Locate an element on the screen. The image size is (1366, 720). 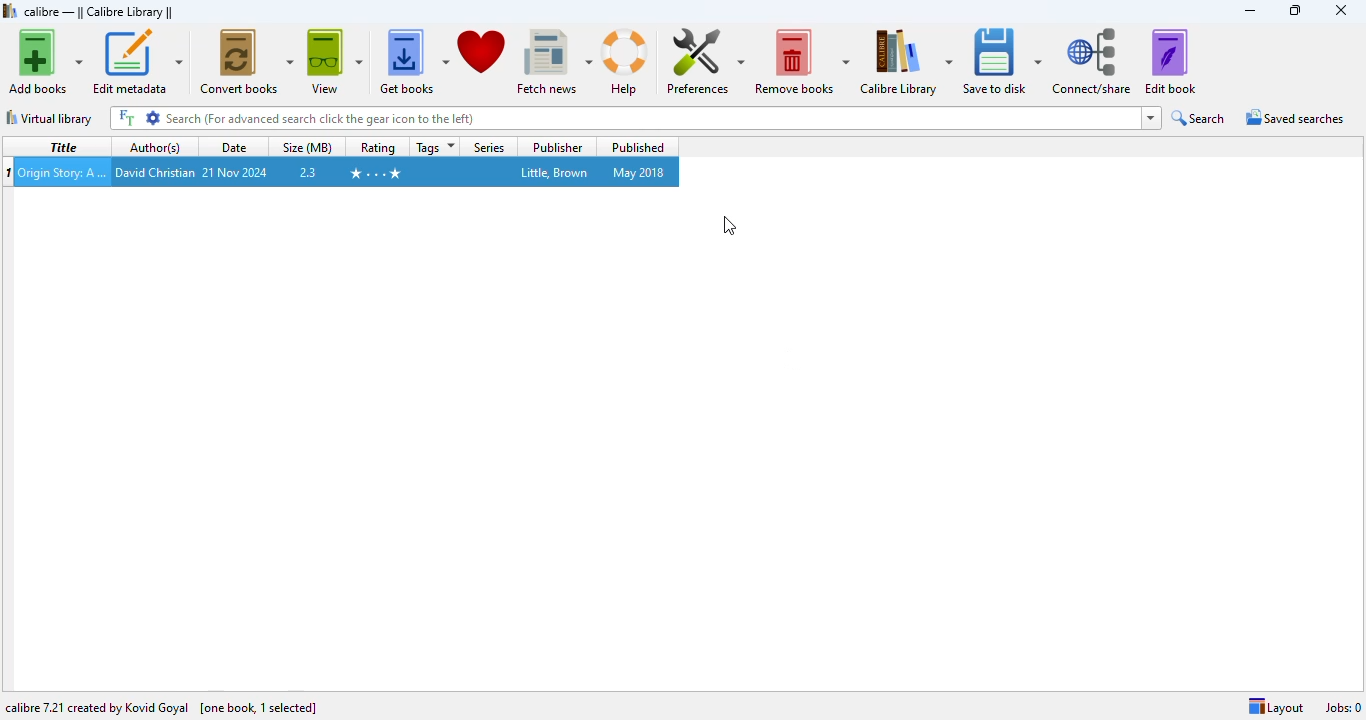
minimize is located at coordinates (1250, 10).